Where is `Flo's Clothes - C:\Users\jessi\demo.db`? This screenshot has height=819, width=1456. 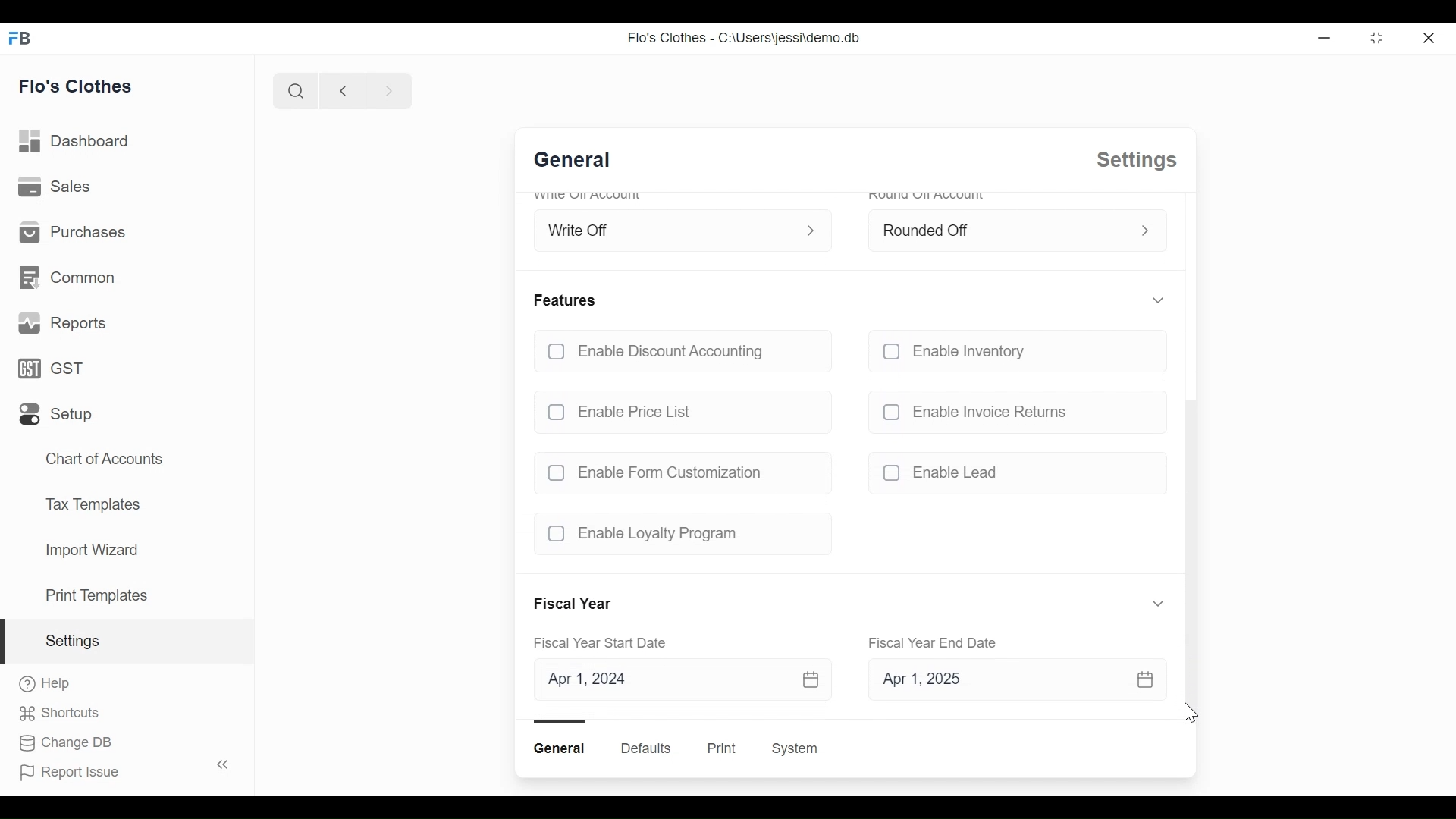 Flo's Clothes - C:\Users\jessi\demo.db is located at coordinates (742, 38).